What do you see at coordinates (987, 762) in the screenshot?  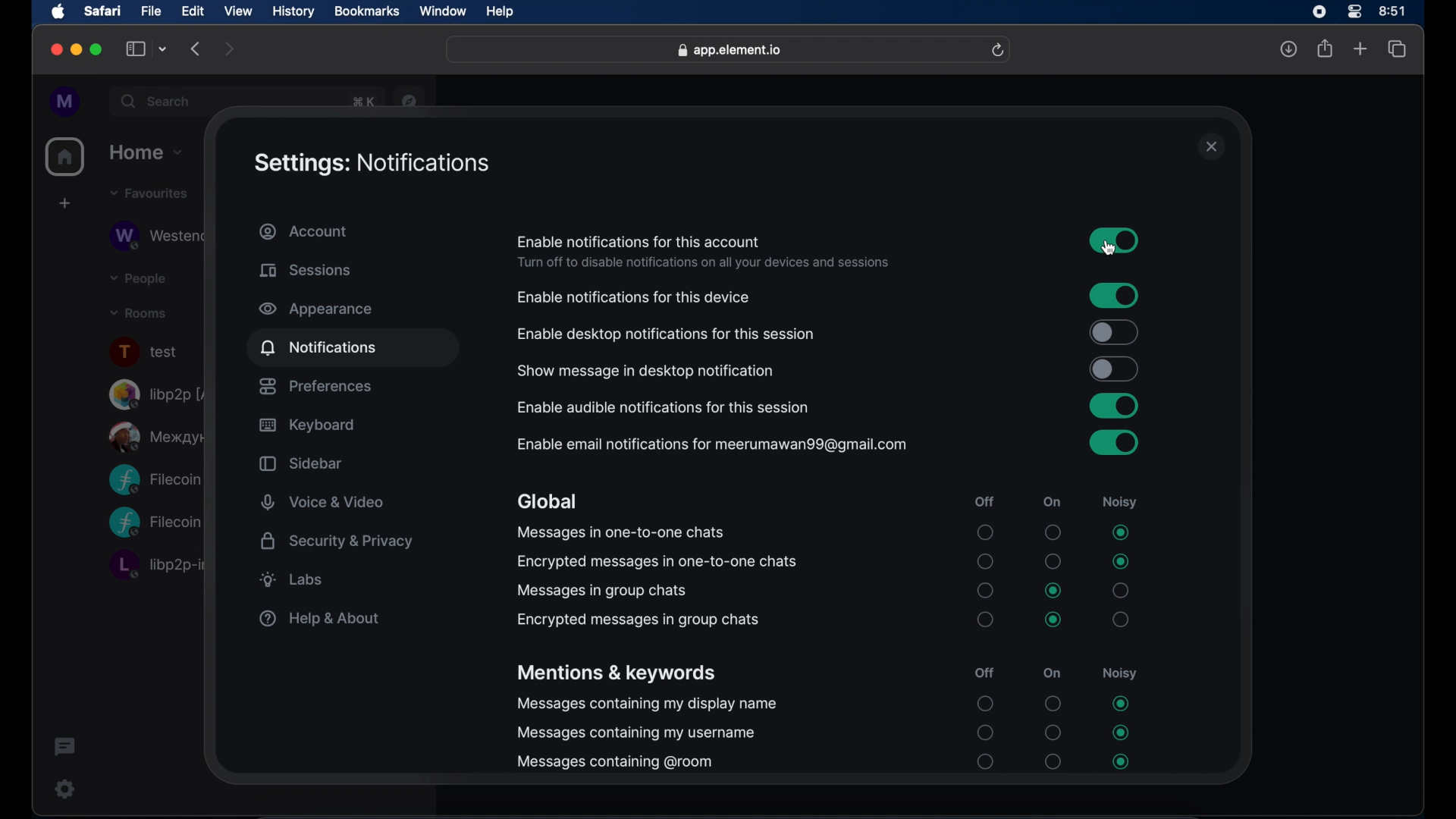 I see `radio button` at bounding box center [987, 762].